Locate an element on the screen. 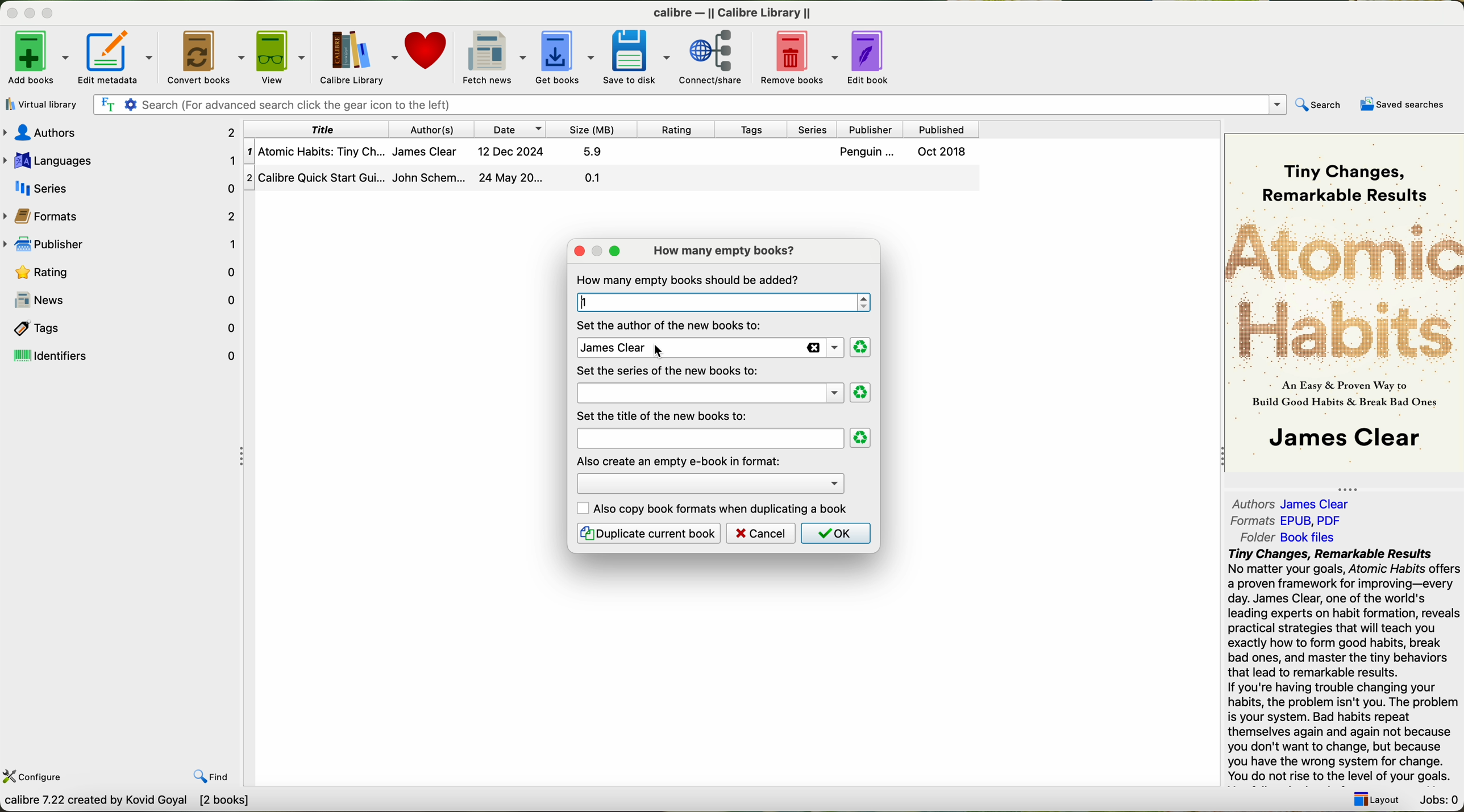  series is located at coordinates (820, 129).